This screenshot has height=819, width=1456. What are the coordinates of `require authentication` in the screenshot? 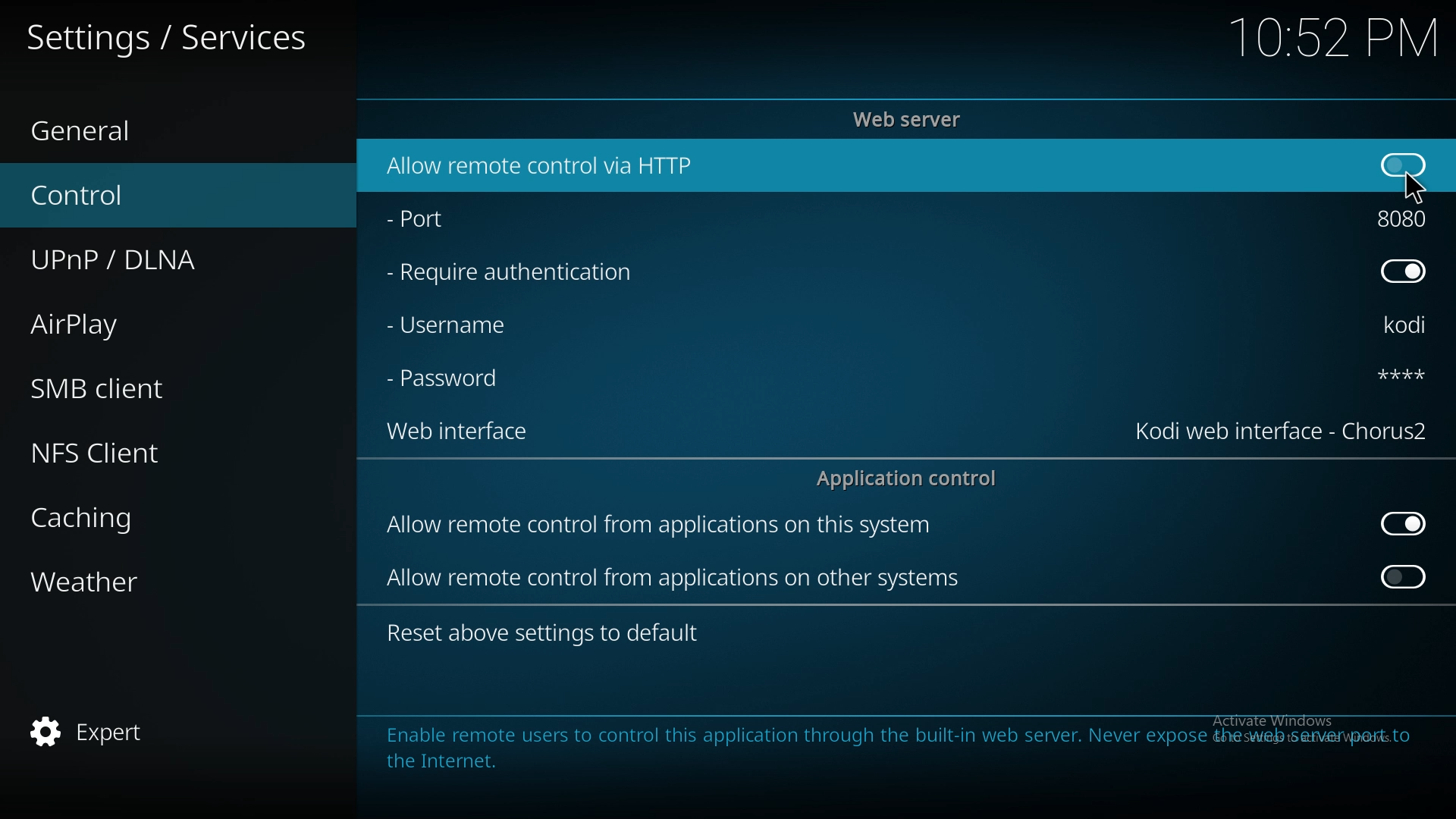 It's located at (511, 273).